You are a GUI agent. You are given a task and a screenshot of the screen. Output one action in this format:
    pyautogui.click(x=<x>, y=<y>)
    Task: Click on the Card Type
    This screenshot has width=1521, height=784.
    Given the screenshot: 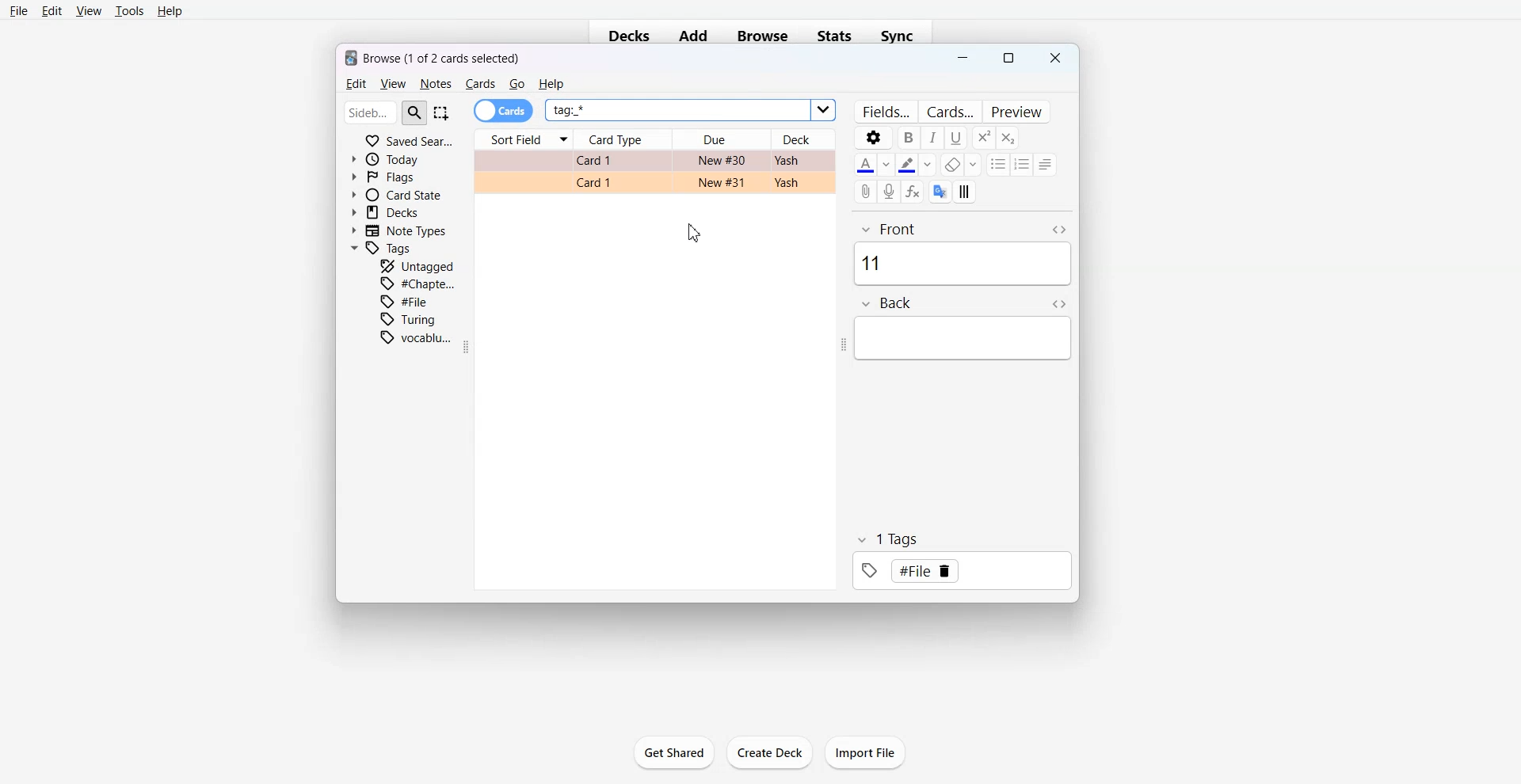 What is the action you would take?
    pyautogui.click(x=624, y=139)
    